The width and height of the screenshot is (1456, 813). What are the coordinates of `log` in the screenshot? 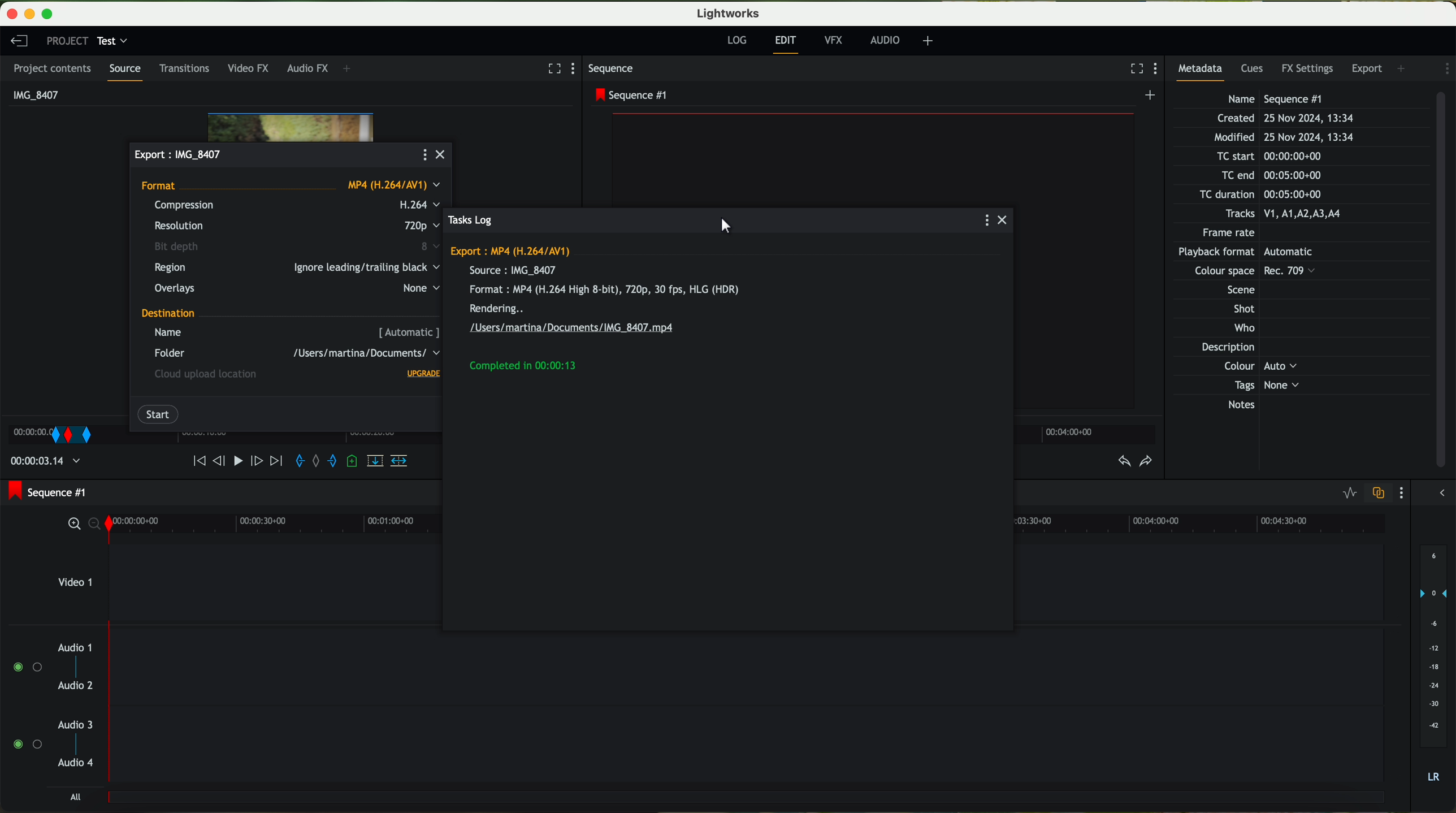 It's located at (738, 41).